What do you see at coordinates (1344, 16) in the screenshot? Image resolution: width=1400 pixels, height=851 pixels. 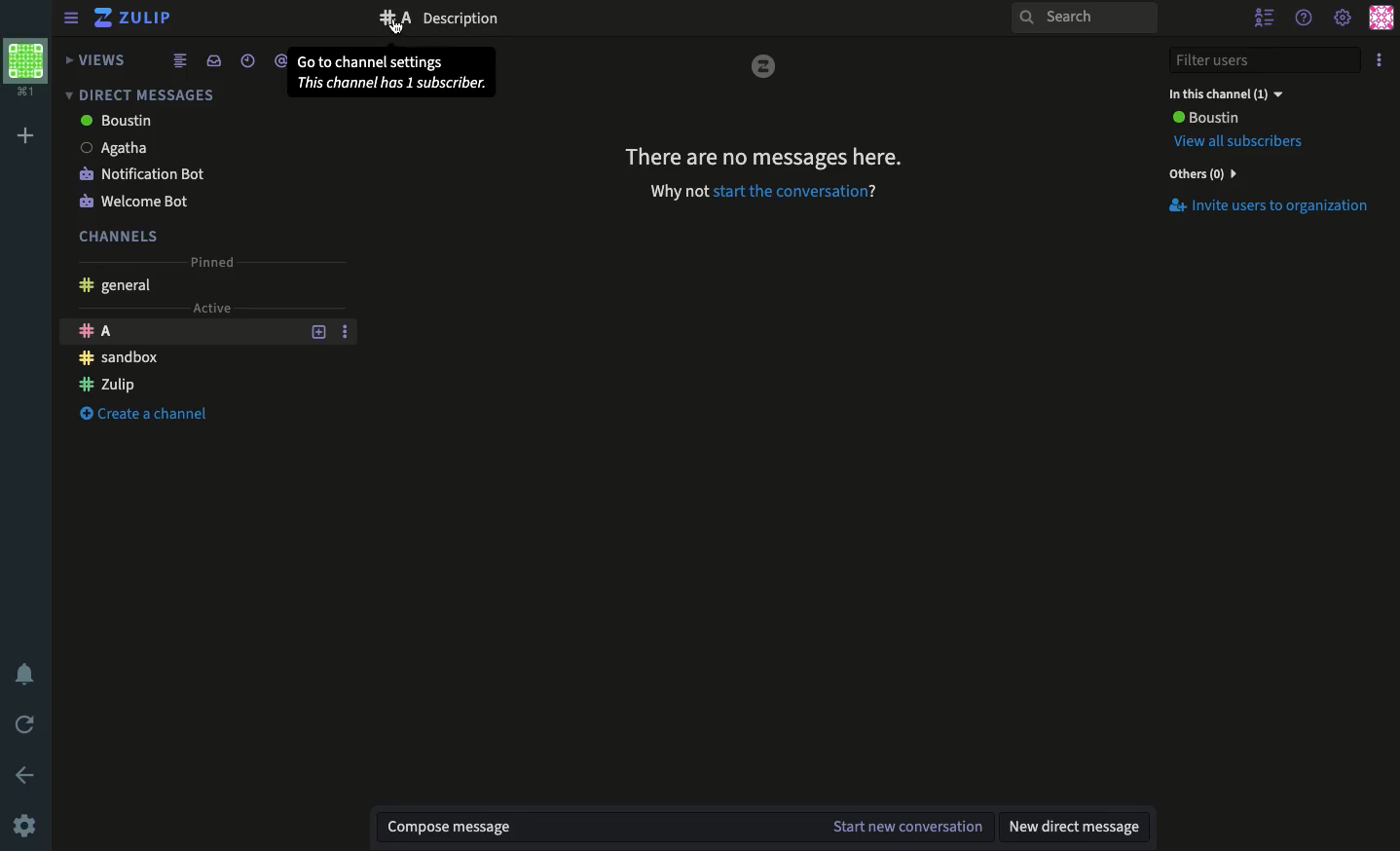 I see `Settings` at bounding box center [1344, 16].